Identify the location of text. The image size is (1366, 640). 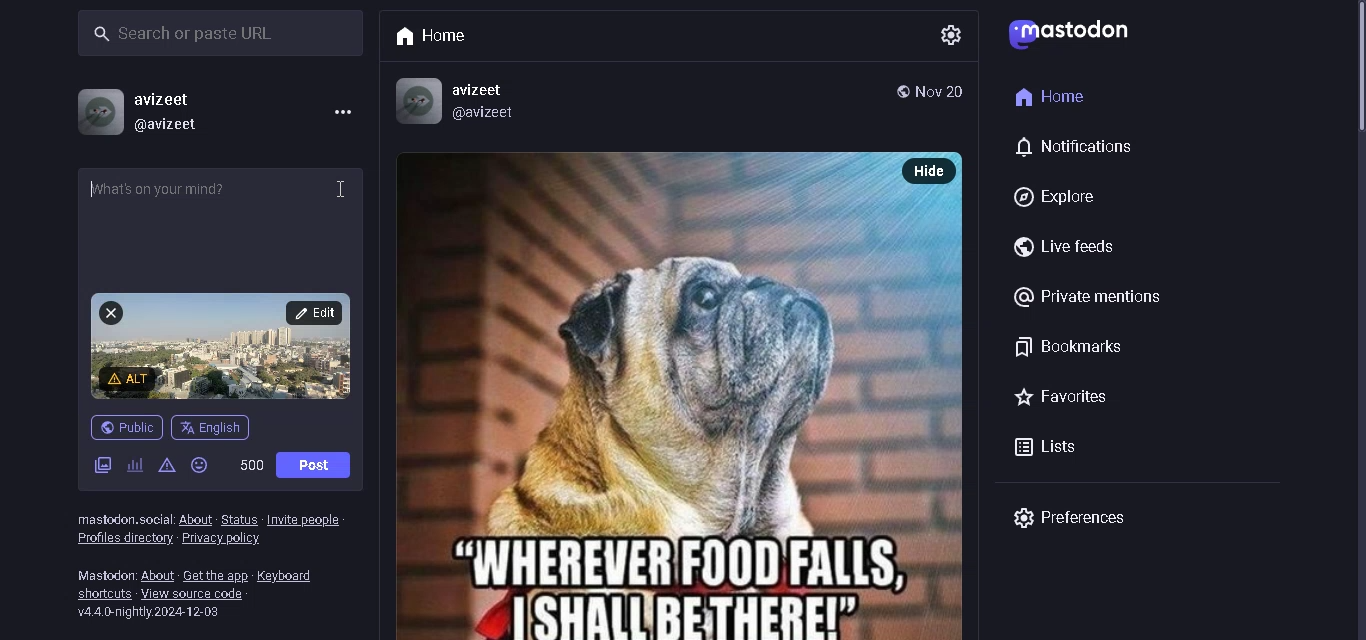
(125, 520).